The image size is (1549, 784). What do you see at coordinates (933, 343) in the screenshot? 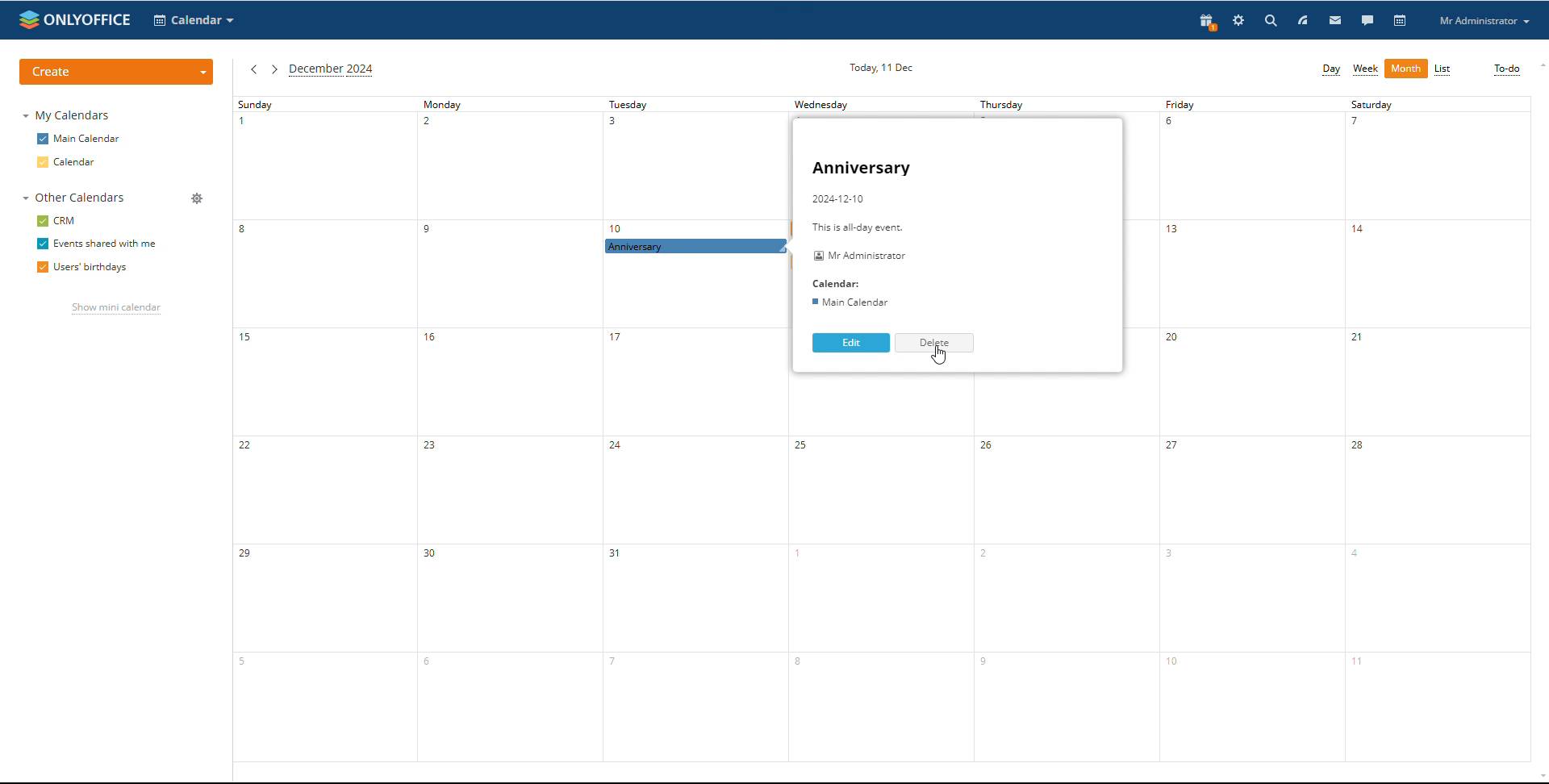
I see `delete` at bounding box center [933, 343].